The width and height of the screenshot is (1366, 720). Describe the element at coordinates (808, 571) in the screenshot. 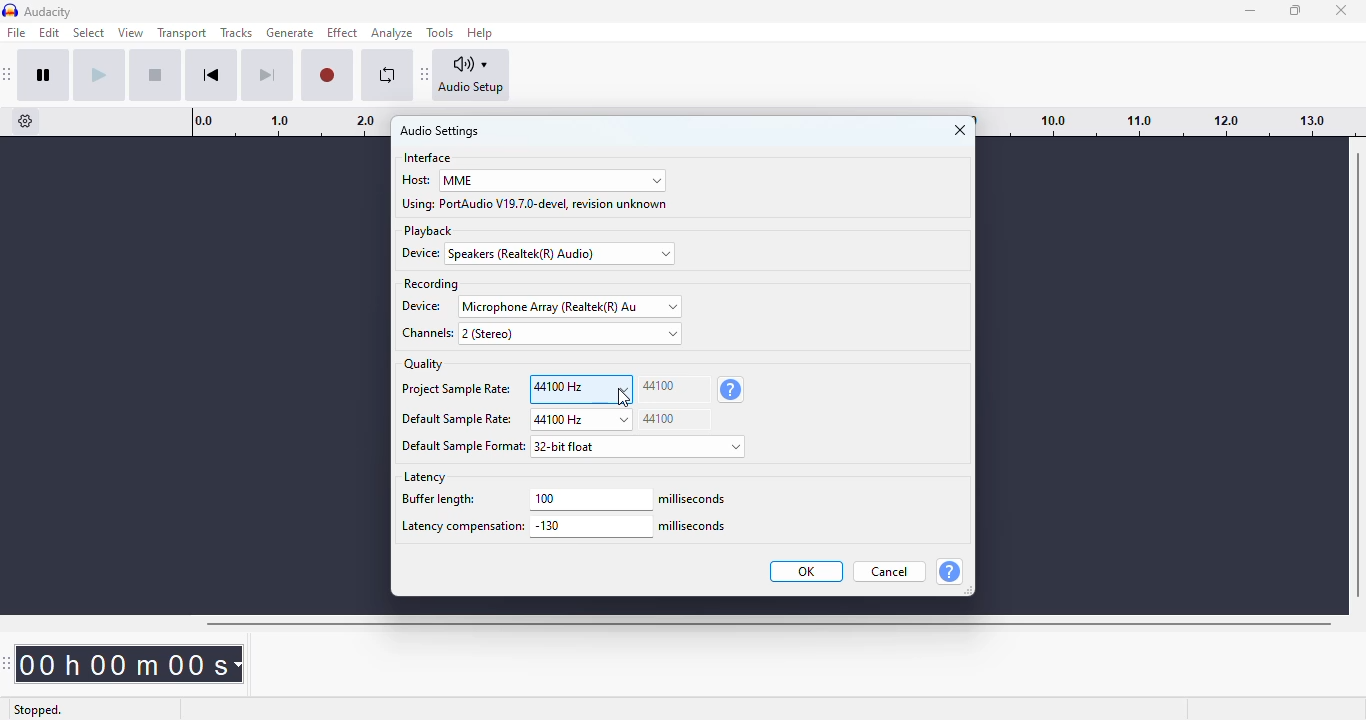

I see `OK` at that location.